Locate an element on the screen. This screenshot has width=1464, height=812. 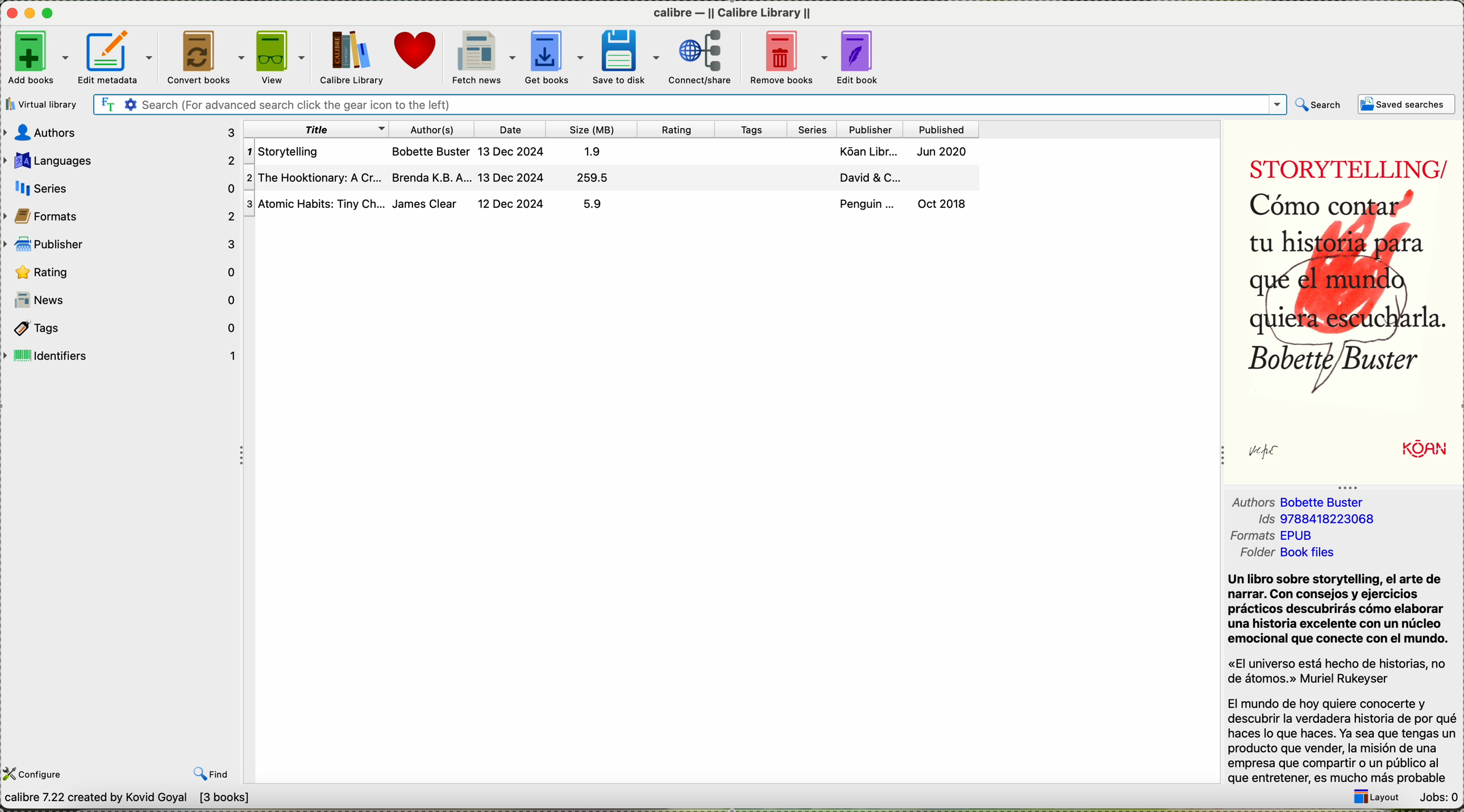
edit metadata is located at coordinates (117, 57).